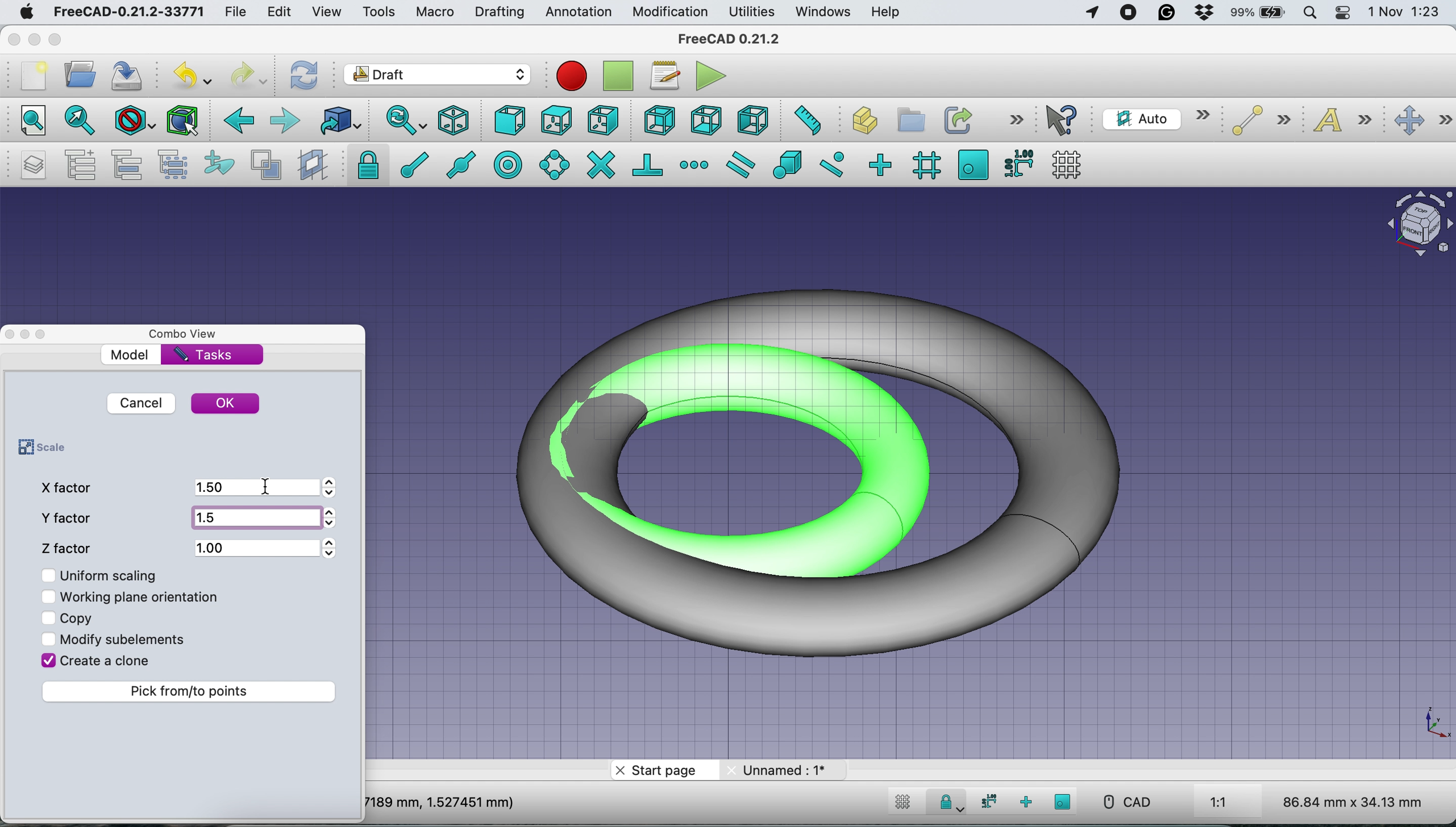 The height and width of the screenshot is (827, 1456). Describe the element at coordinates (192, 73) in the screenshot. I see `undo` at that location.